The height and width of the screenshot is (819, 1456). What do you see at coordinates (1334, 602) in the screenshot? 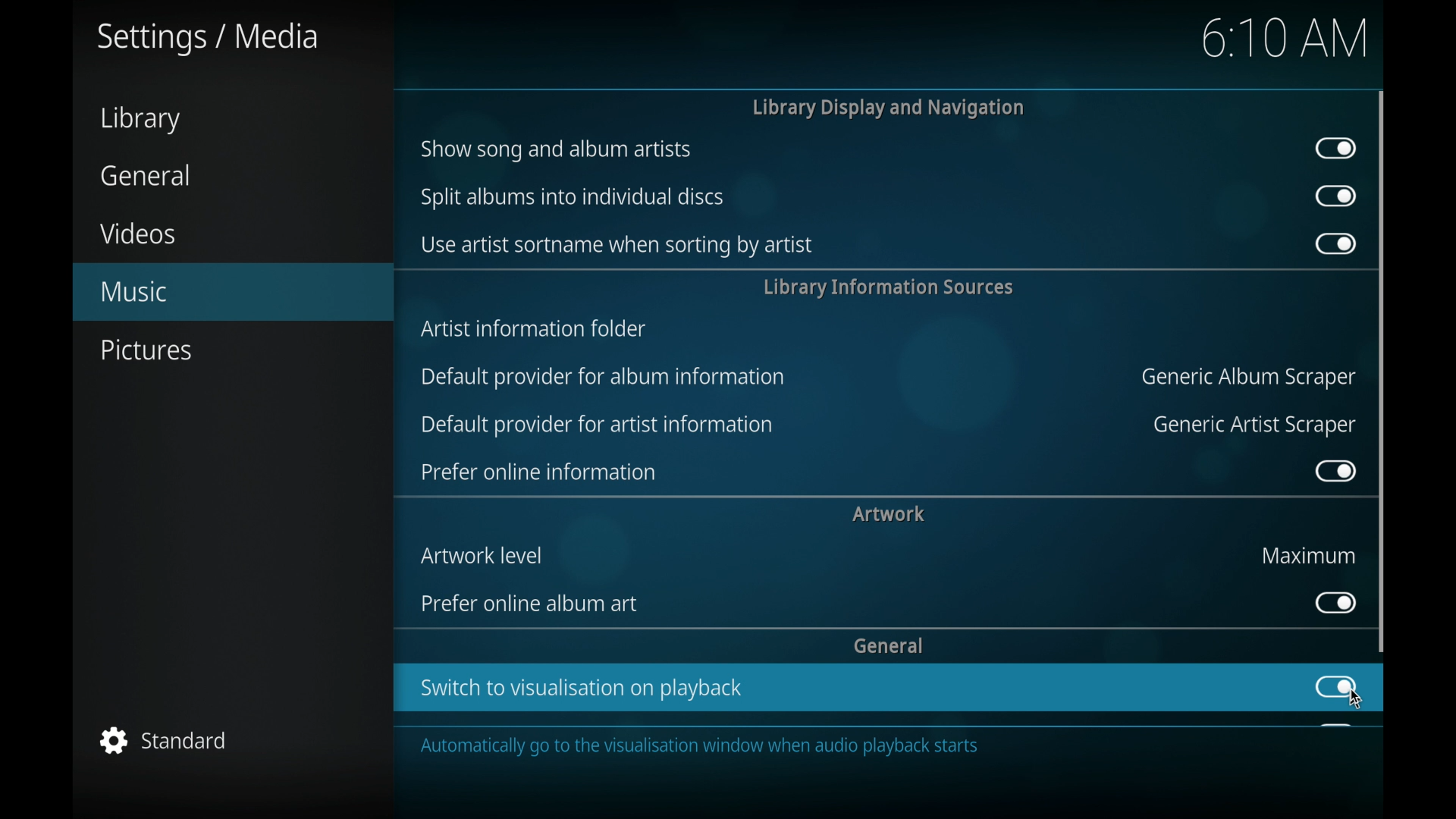
I see `toggle button` at bounding box center [1334, 602].